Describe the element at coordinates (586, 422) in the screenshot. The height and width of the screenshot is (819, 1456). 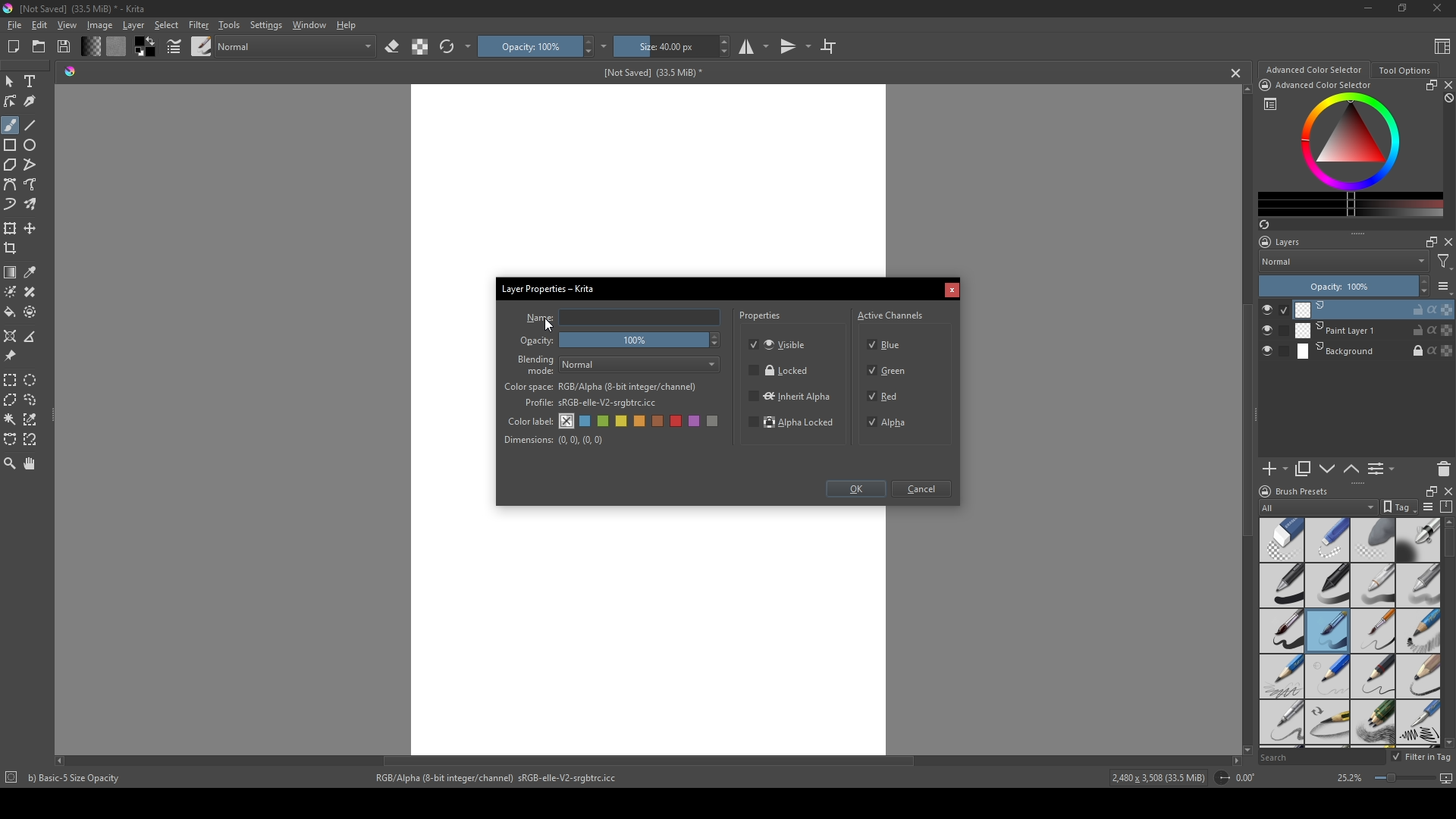
I see `blue` at that location.